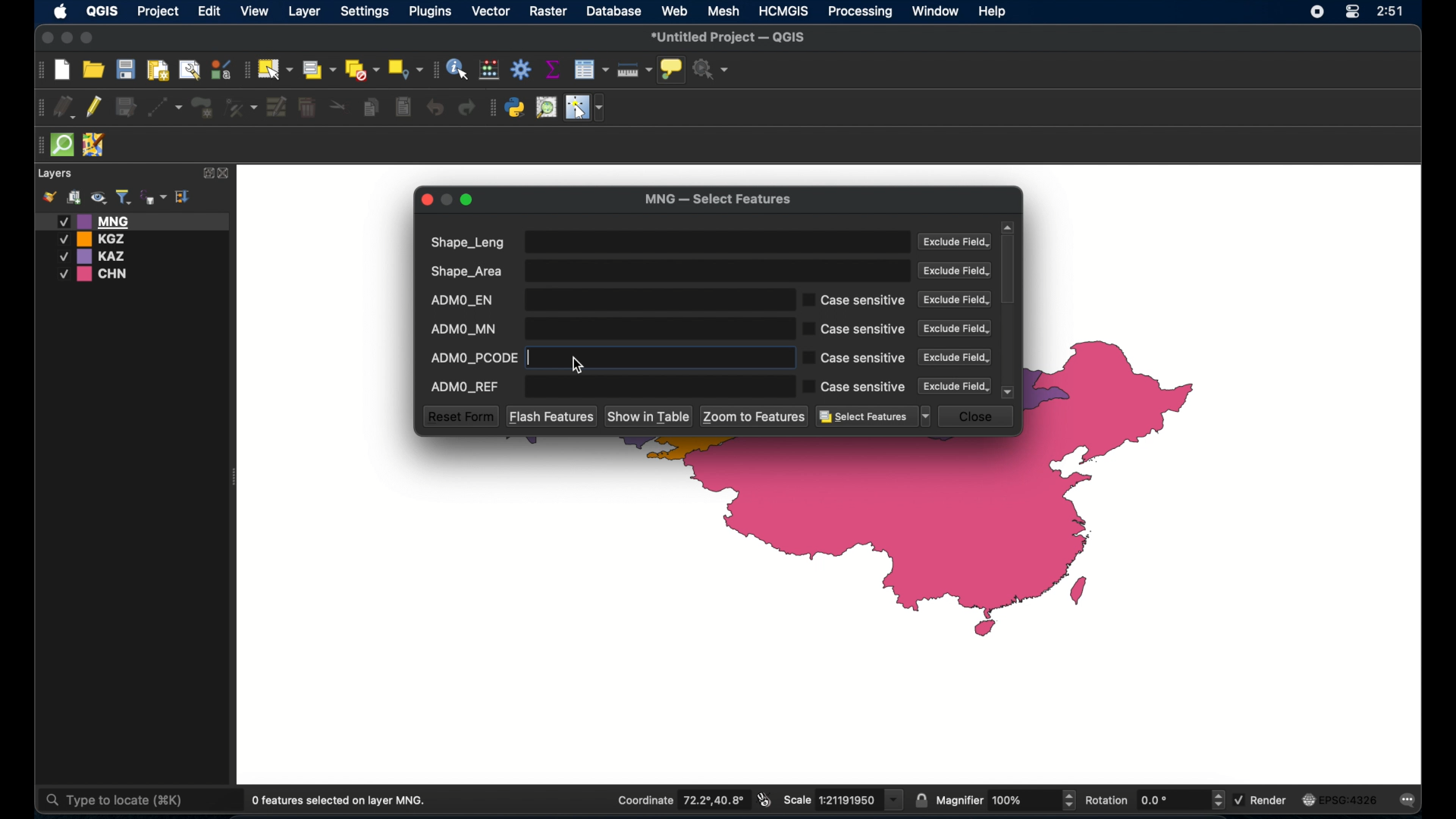 The image size is (1456, 819). What do you see at coordinates (128, 108) in the screenshot?
I see `save edits` at bounding box center [128, 108].